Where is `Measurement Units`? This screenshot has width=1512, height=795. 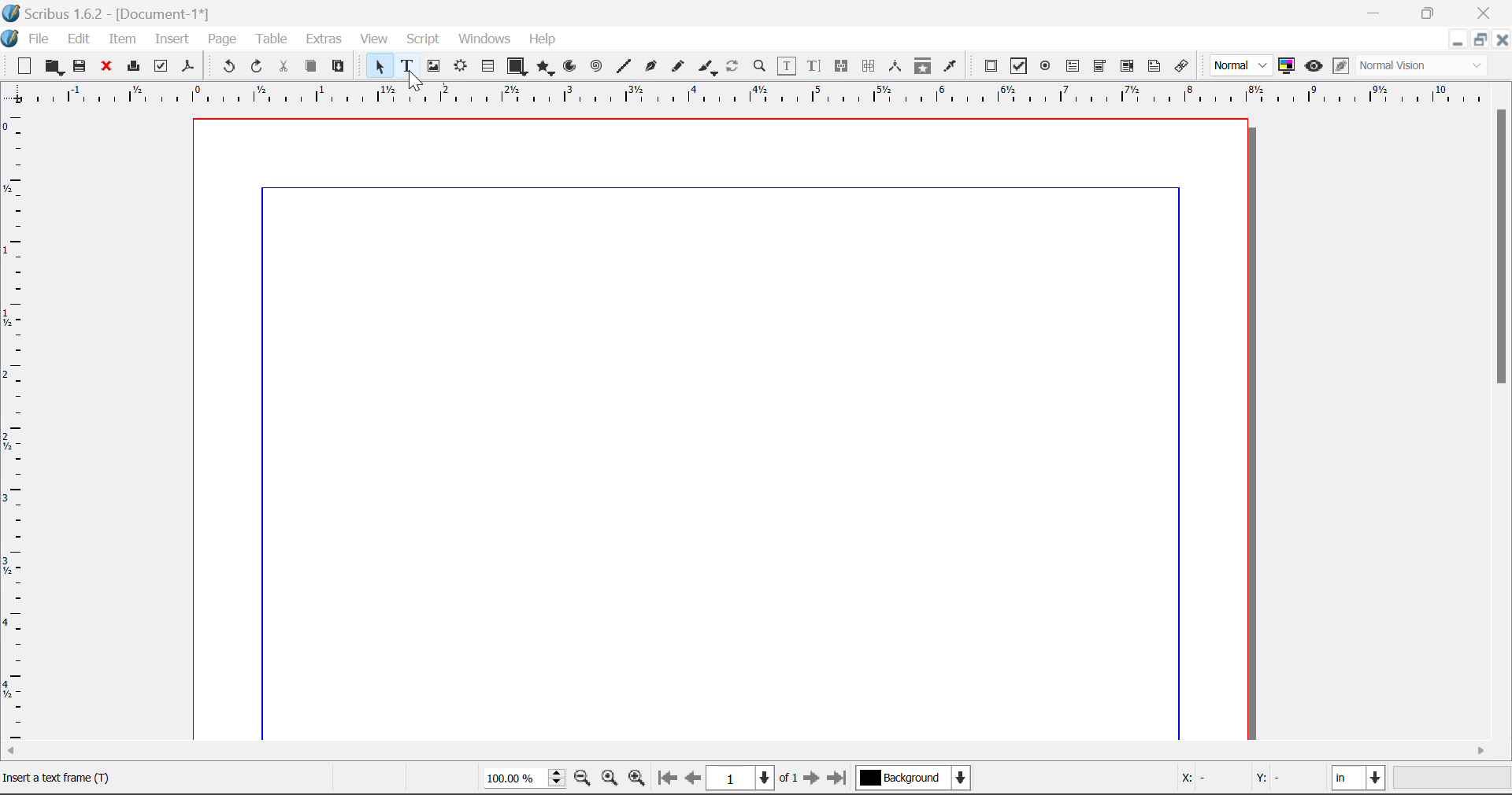
Measurement Units is located at coordinates (1360, 780).